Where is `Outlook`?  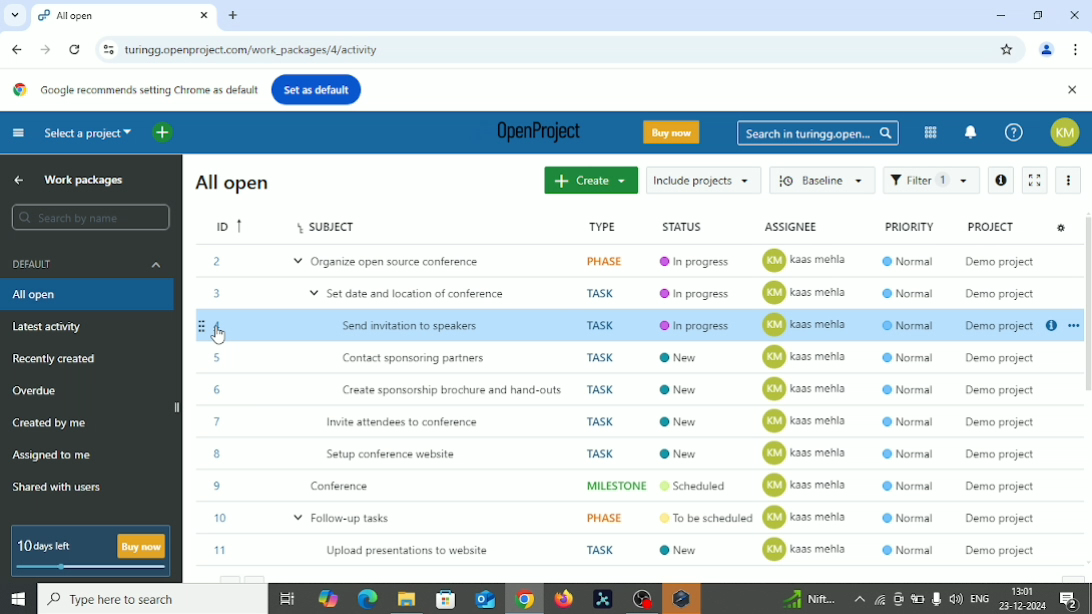 Outlook is located at coordinates (483, 599).